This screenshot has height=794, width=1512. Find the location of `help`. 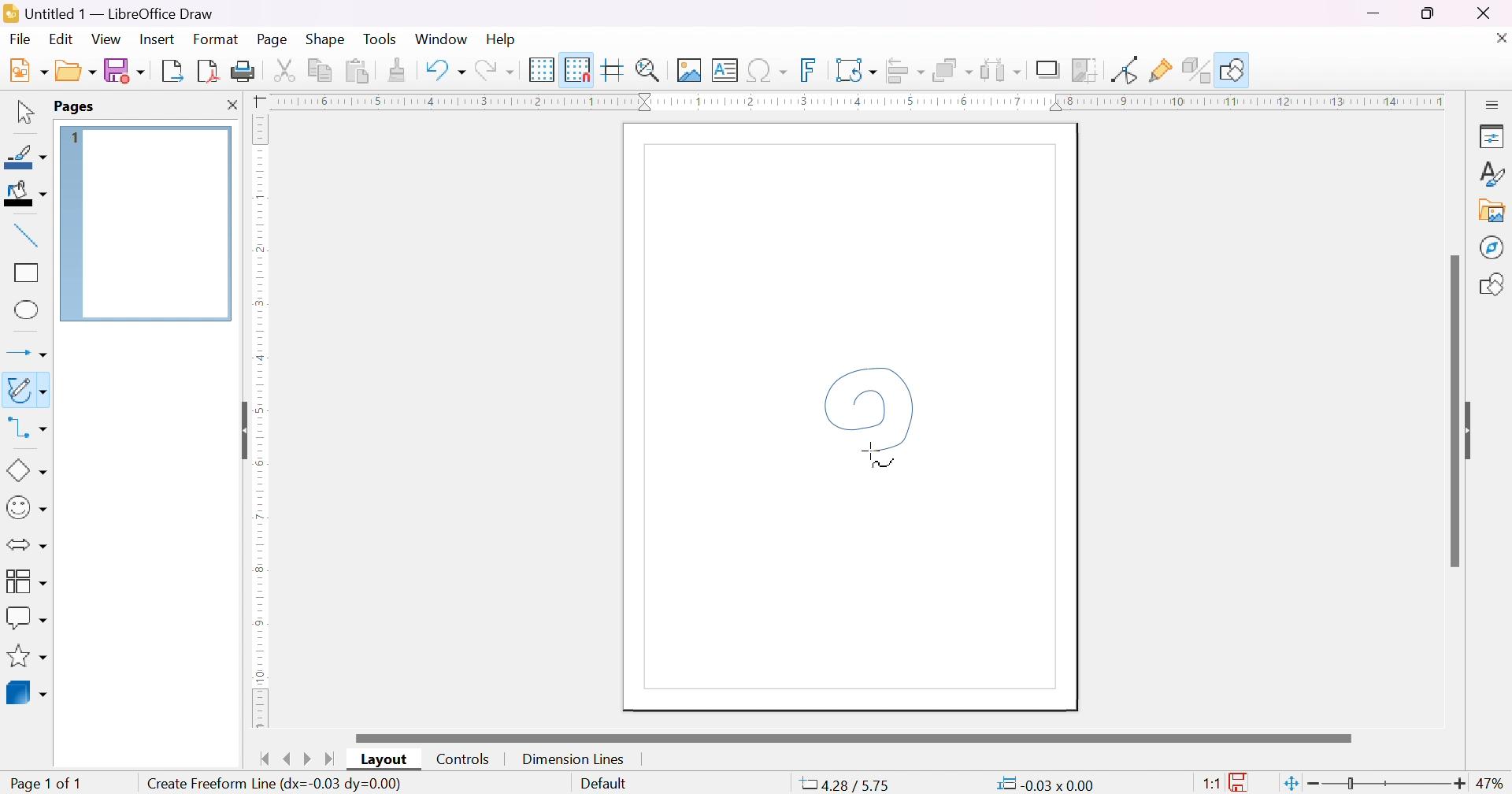

help is located at coordinates (501, 39).